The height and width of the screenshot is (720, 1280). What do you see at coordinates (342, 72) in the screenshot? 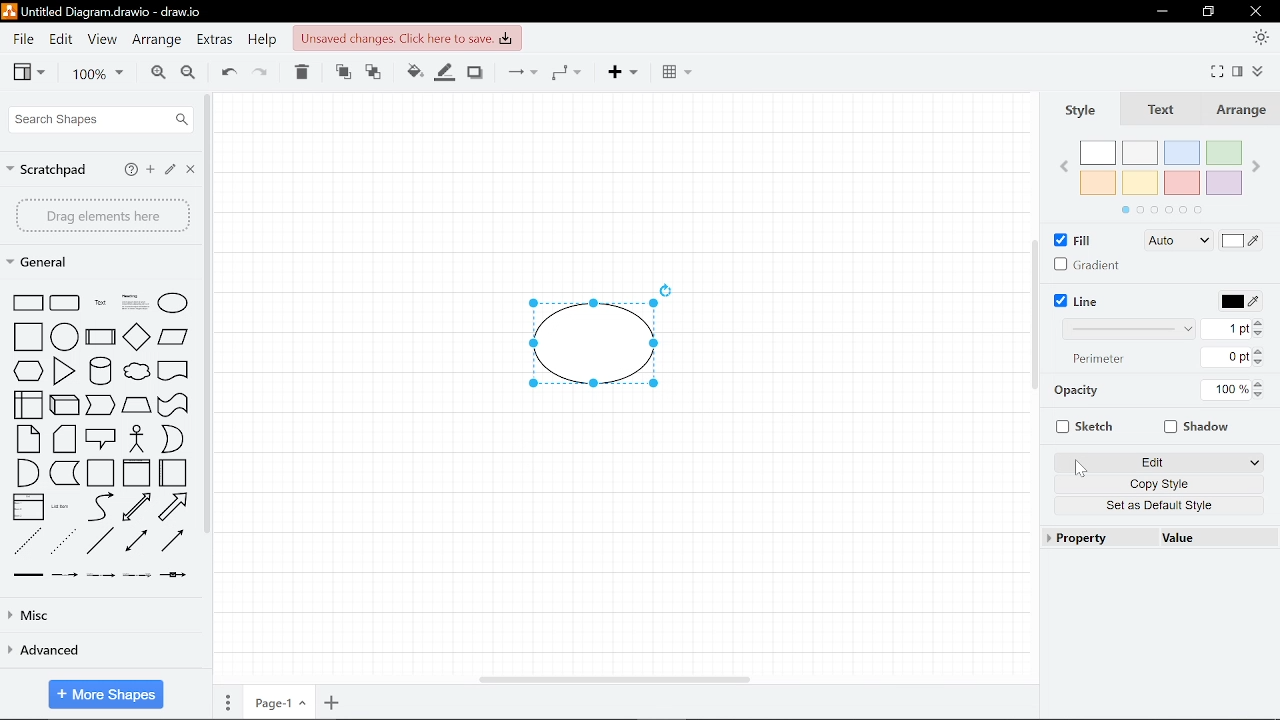
I see `To front` at bounding box center [342, 72].